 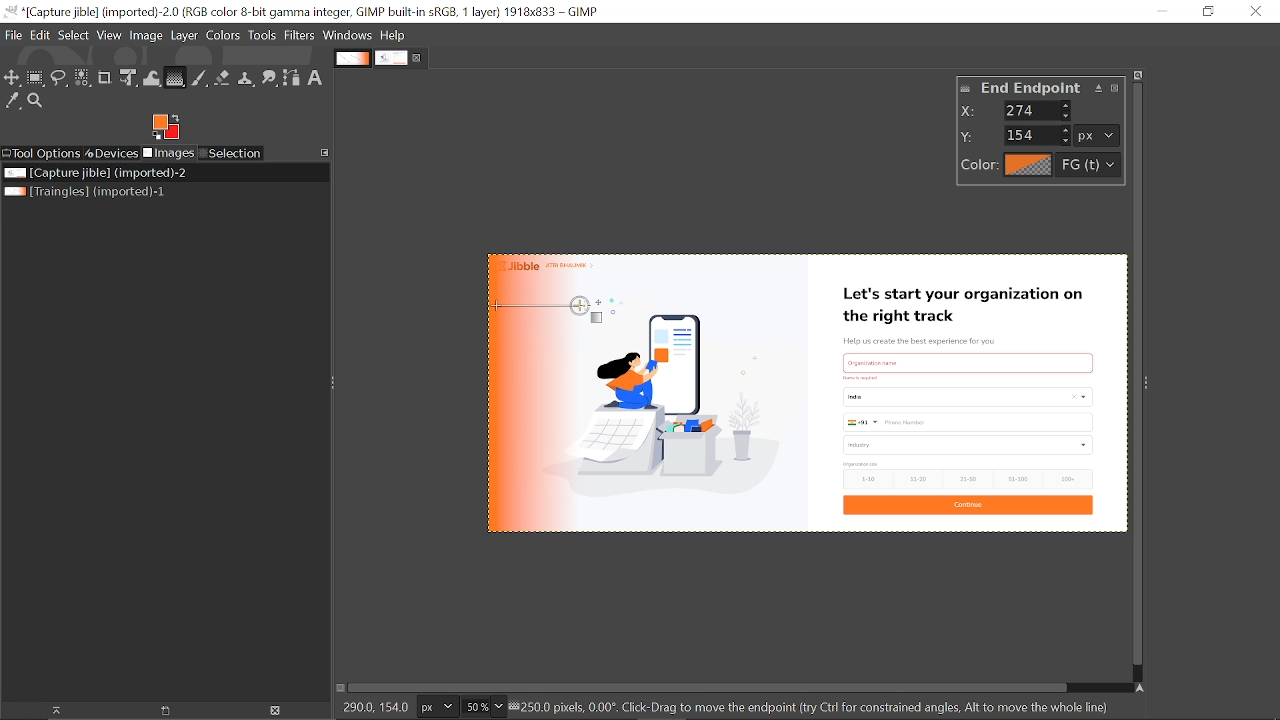 What do you see at coordinates (418, 56) in the screenshot?
I see `Close current tab` at bounding box center [418, 56].